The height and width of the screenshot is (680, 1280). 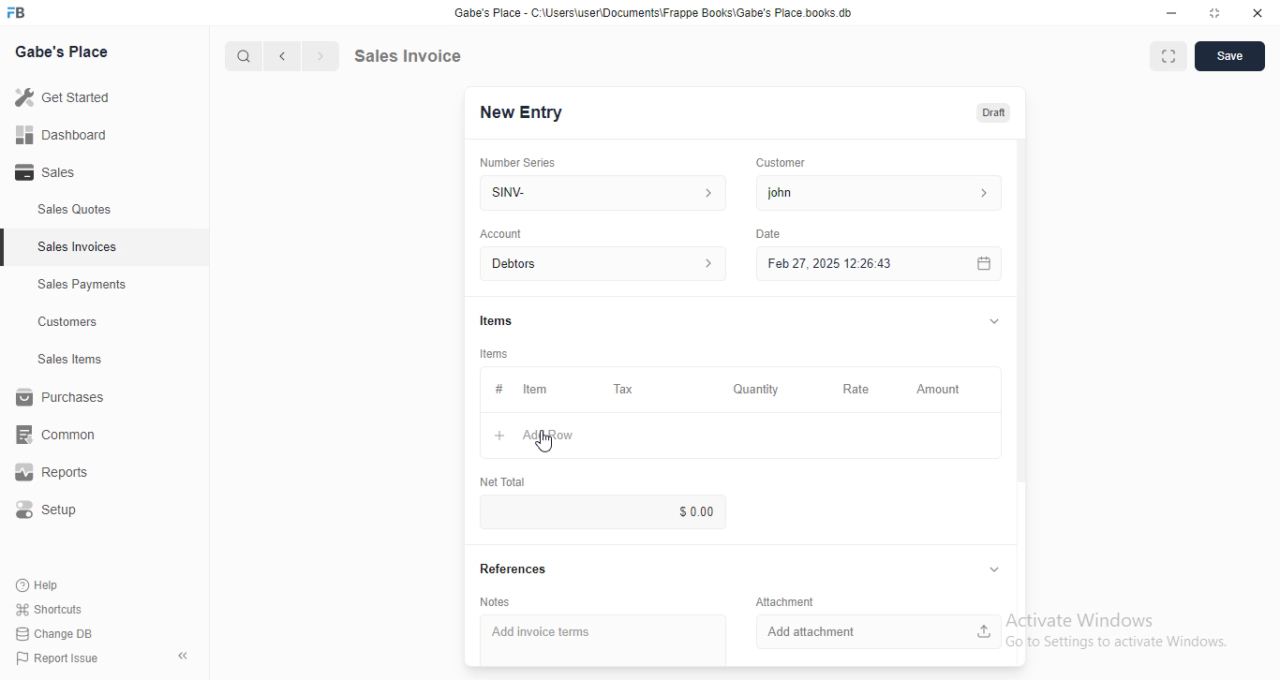 I want to click on Sales Quotes, so click(x=74, y=212).